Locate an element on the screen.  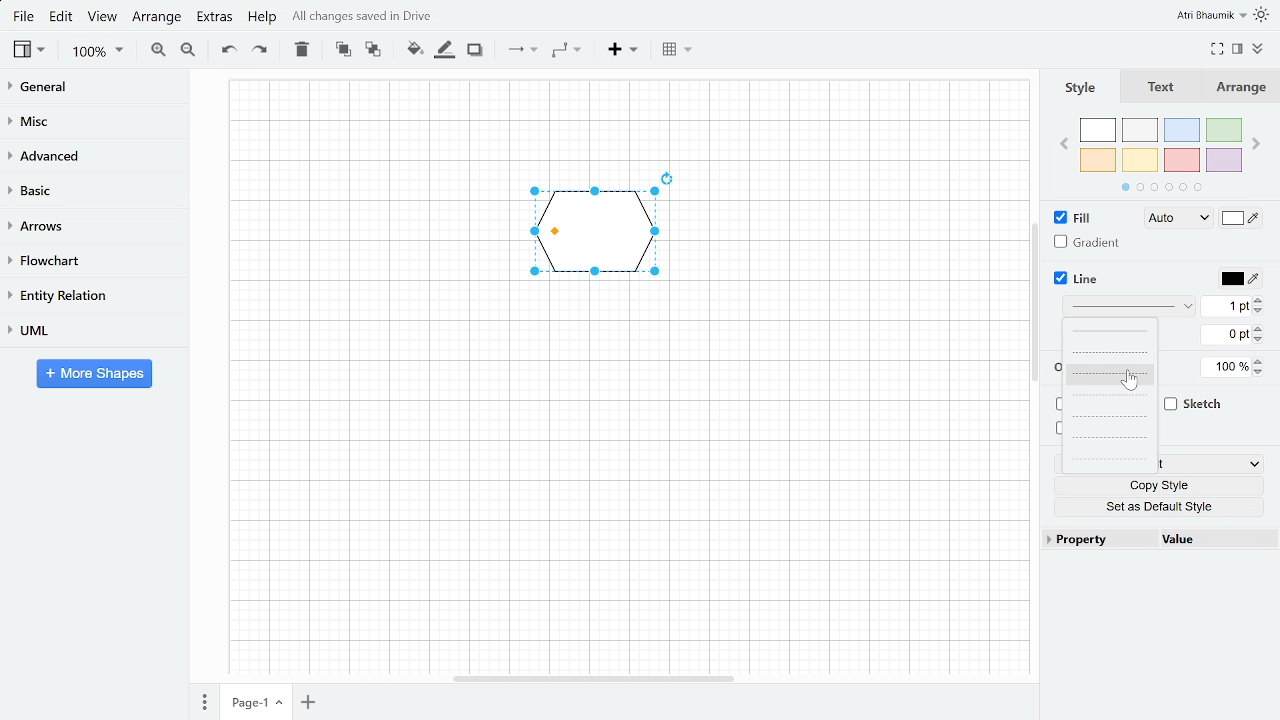
Current line width is located at coordinates (1226, 307).